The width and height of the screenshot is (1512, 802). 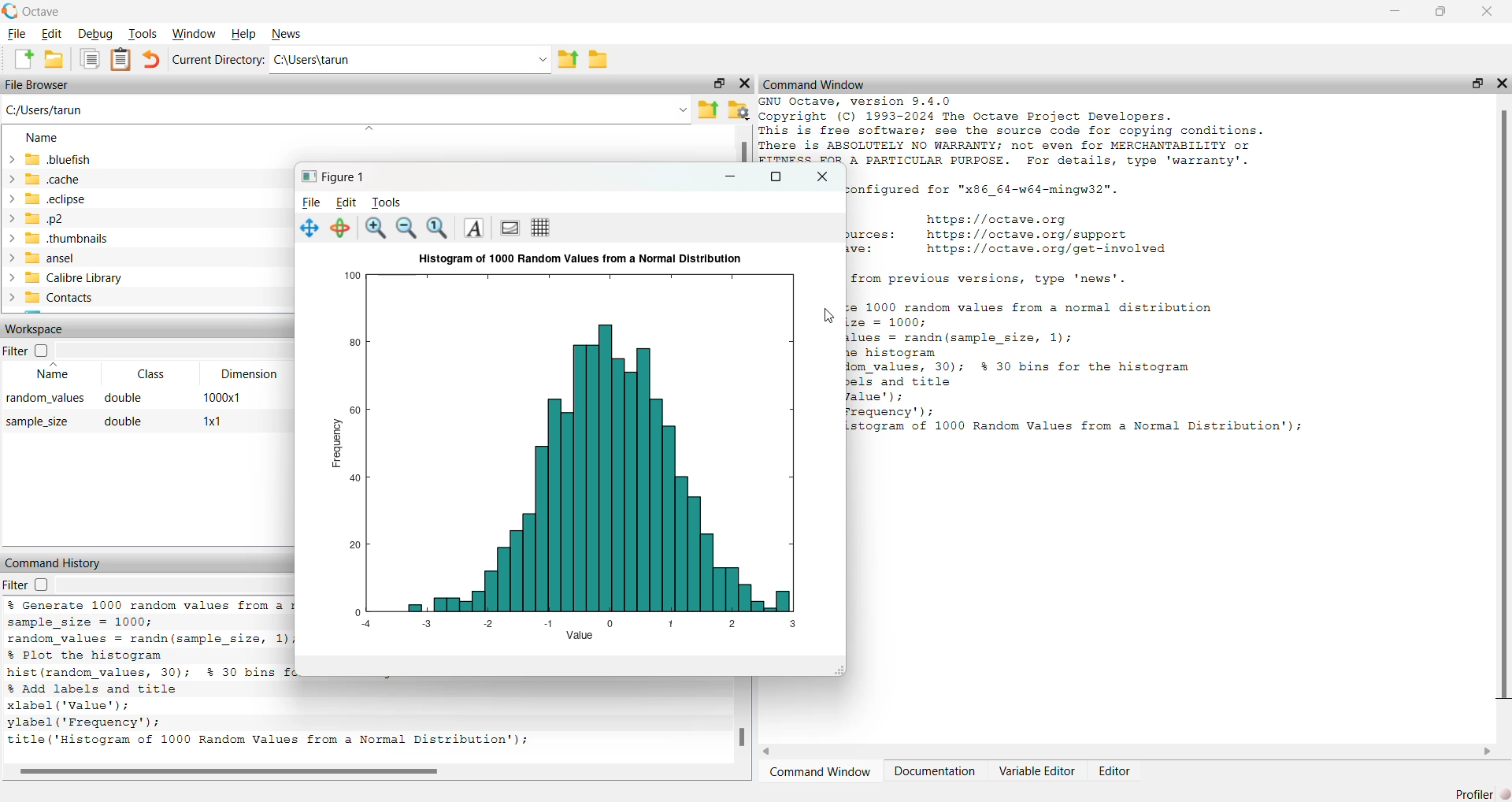 I want to click on Filter, so click(x=26, y=351).